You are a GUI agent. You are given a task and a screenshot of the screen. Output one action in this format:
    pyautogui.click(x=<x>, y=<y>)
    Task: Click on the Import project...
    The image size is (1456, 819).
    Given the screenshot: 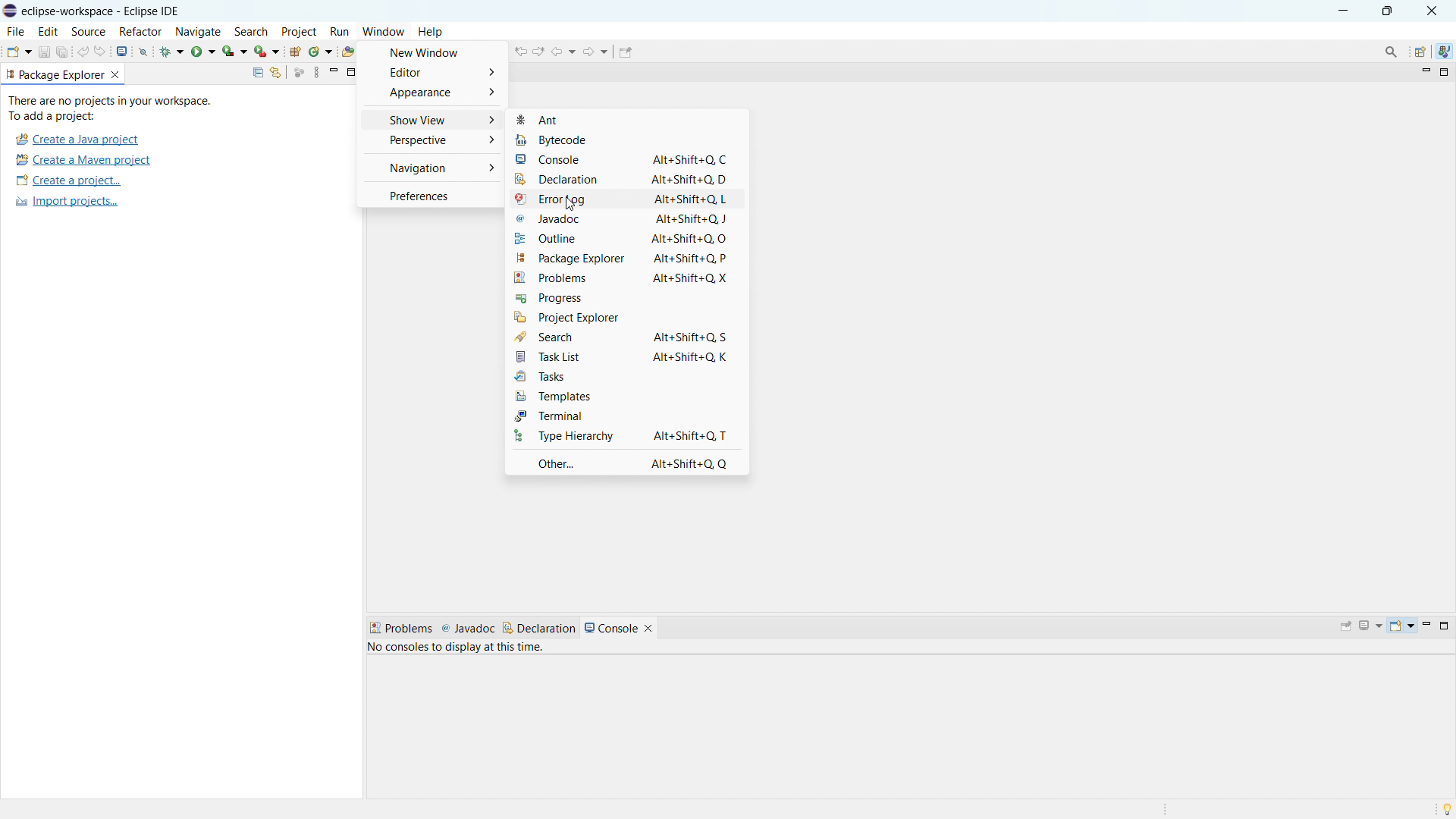 What is the action you would take?
    pyautogui.click(x=75, y=201)
    